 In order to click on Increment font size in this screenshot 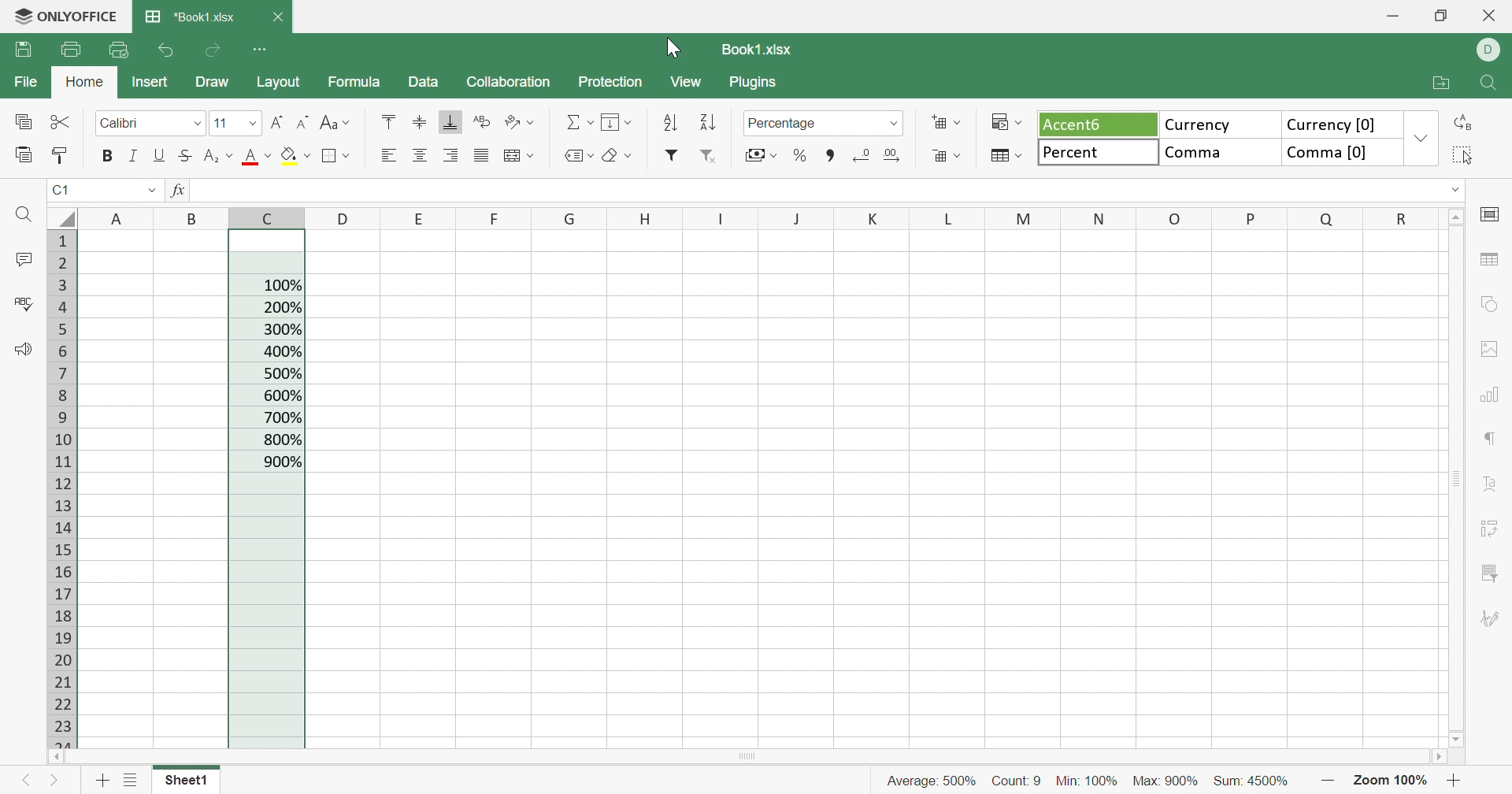, I will do `click(280, 123)`.